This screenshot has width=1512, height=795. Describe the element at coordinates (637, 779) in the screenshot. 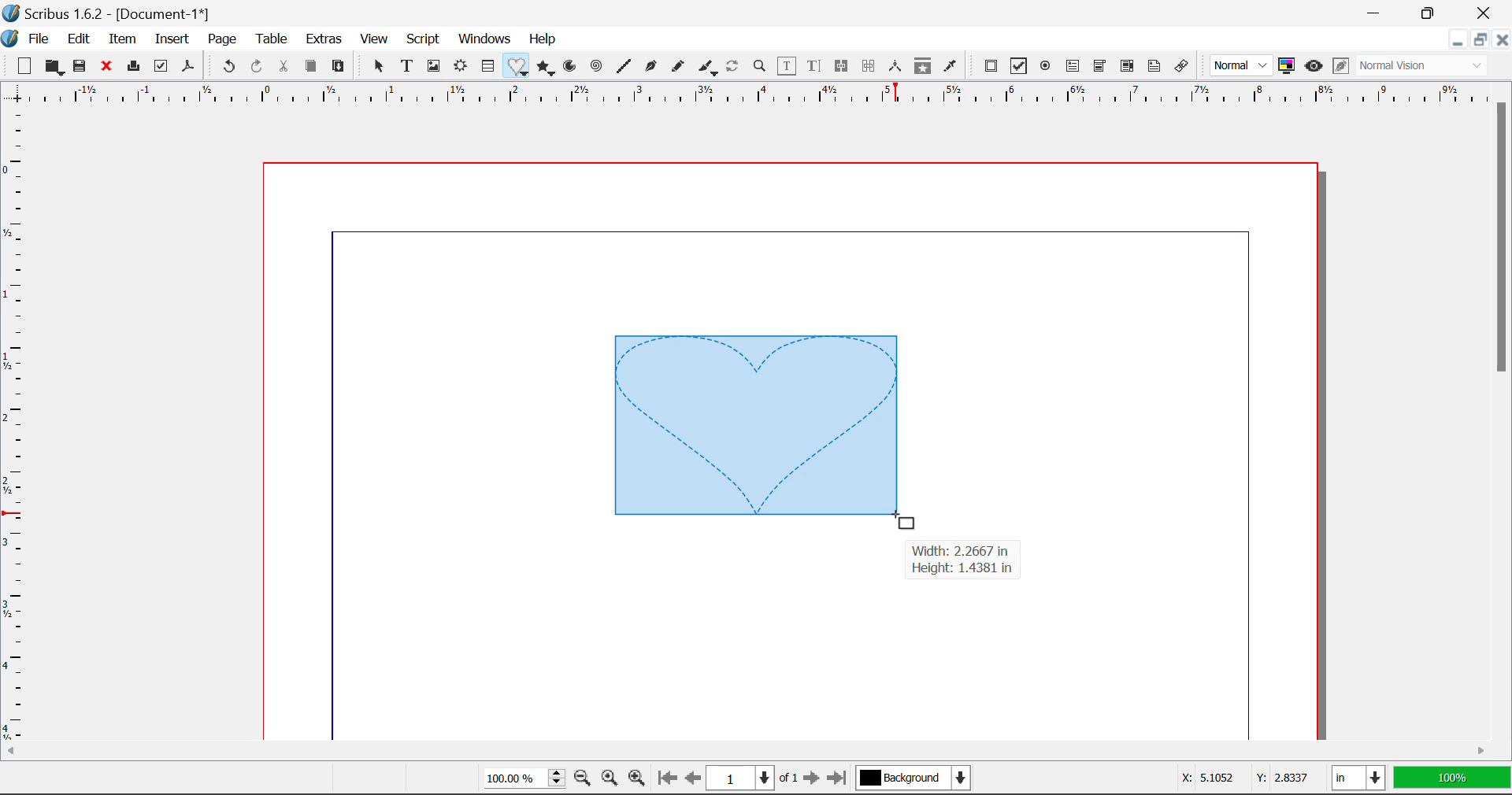

I see `Zoom In` at that location.